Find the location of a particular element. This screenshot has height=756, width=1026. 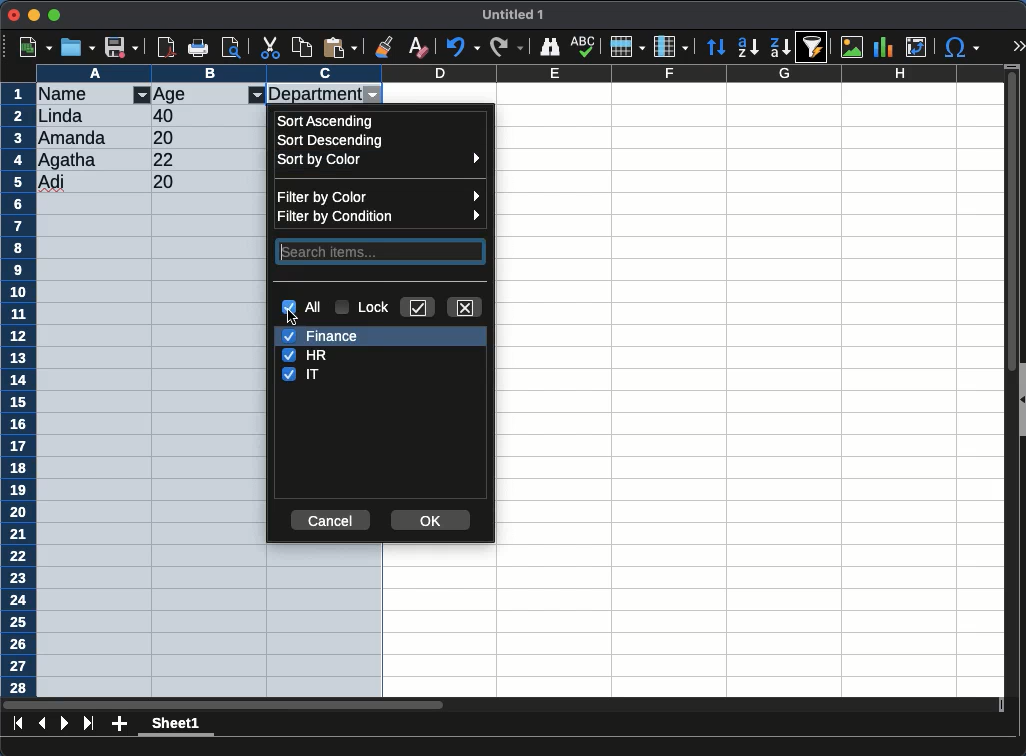

special character is located at coordinates (961, 47).